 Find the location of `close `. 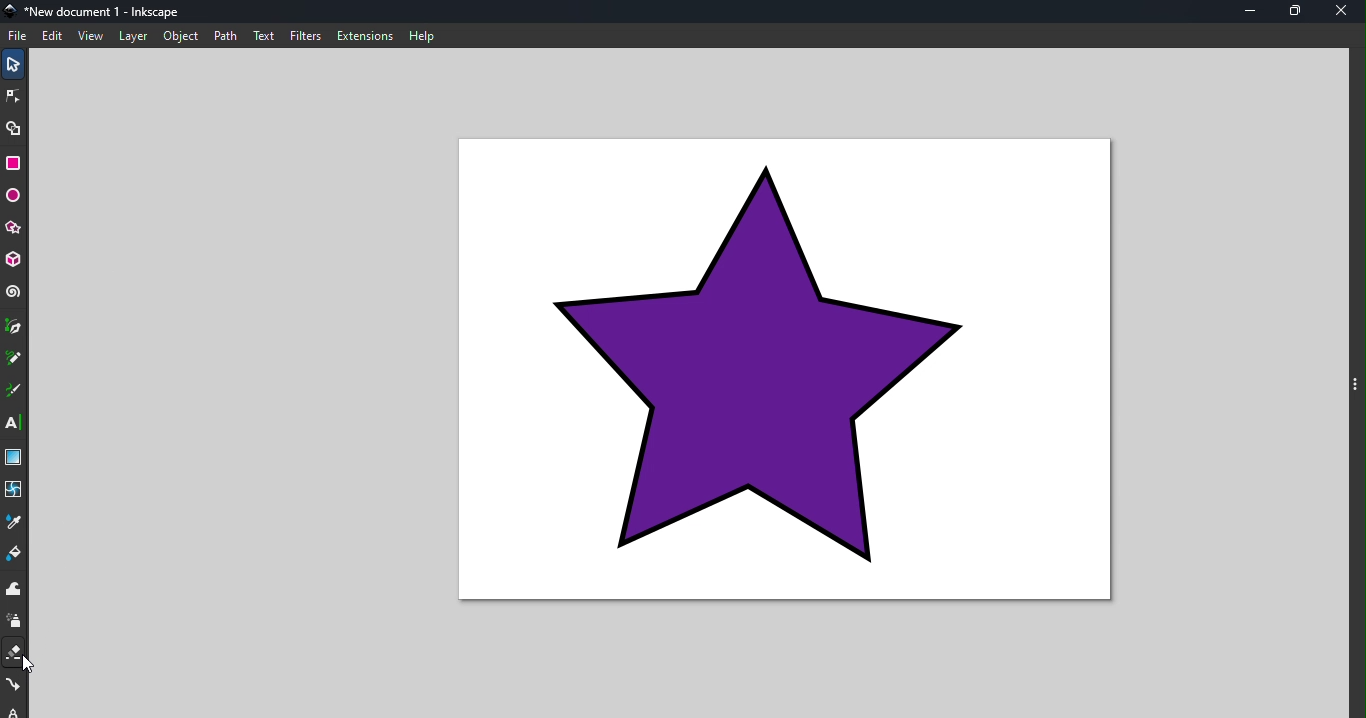

close  is located at coordinates (1346, 12).